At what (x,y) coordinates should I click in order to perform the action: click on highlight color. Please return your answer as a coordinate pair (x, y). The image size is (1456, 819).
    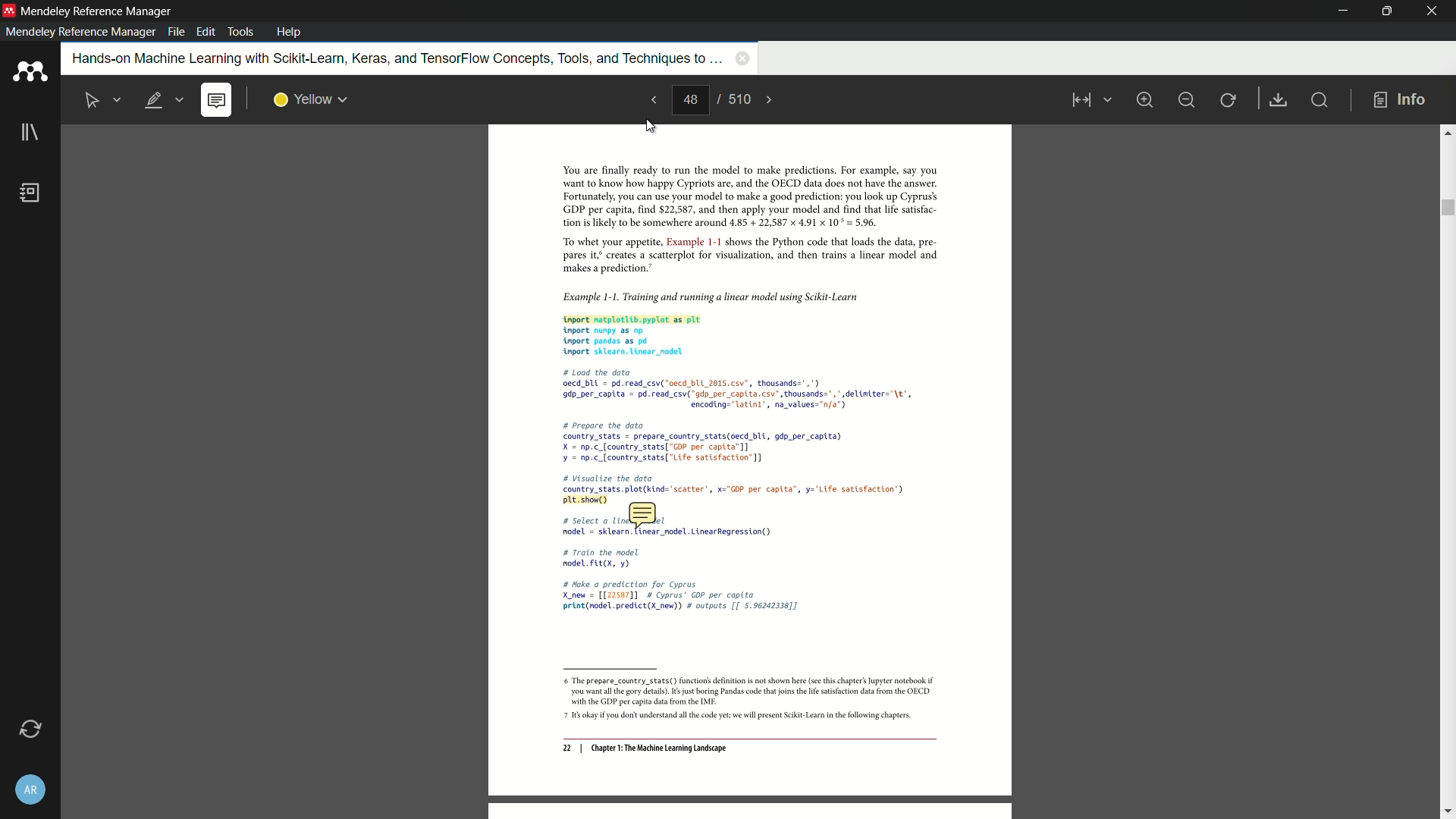
    Looking at the image, I should click on (311, 100).